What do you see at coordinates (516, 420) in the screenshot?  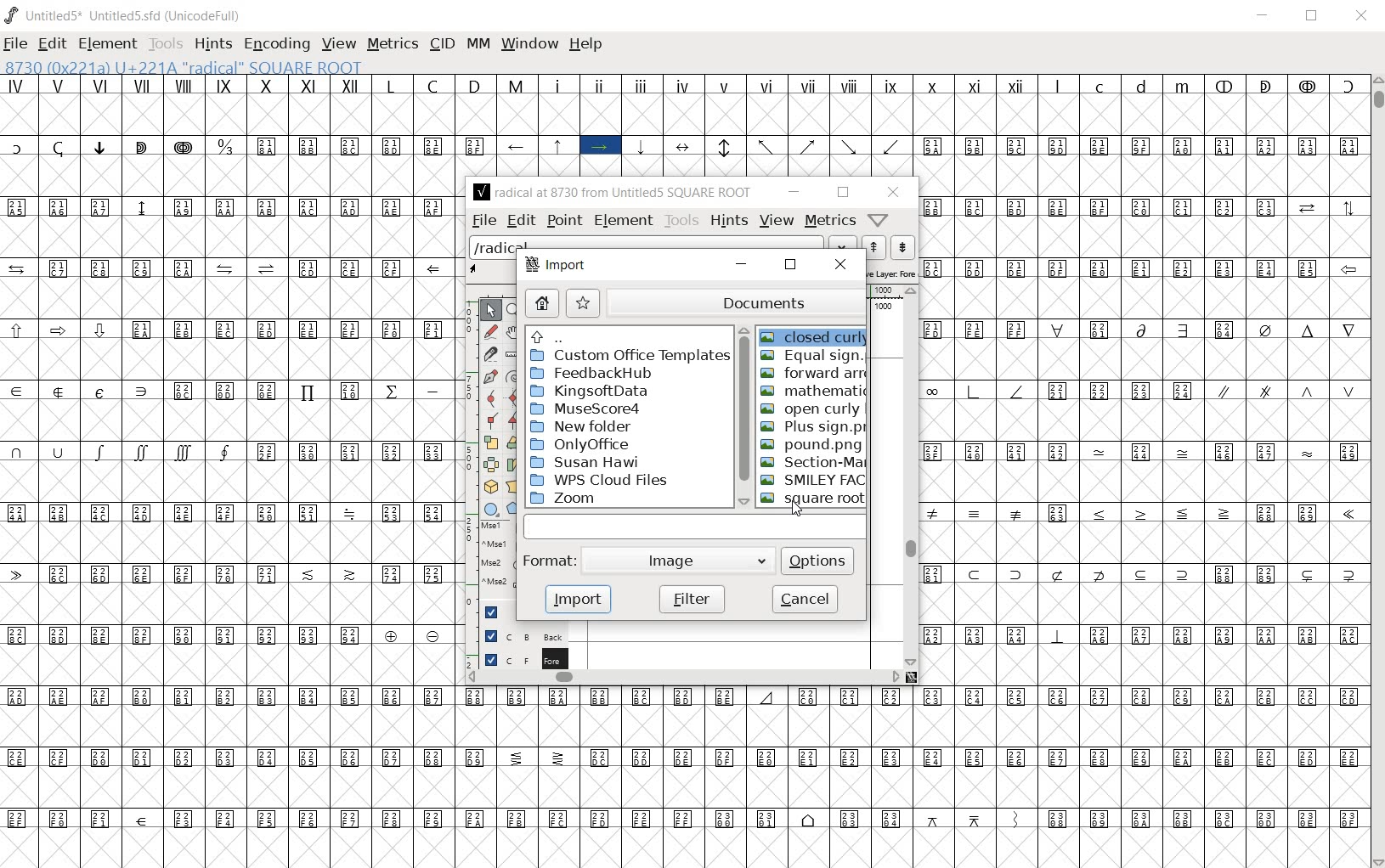 I see `Add a corner point` at bounding box center [516, 420].